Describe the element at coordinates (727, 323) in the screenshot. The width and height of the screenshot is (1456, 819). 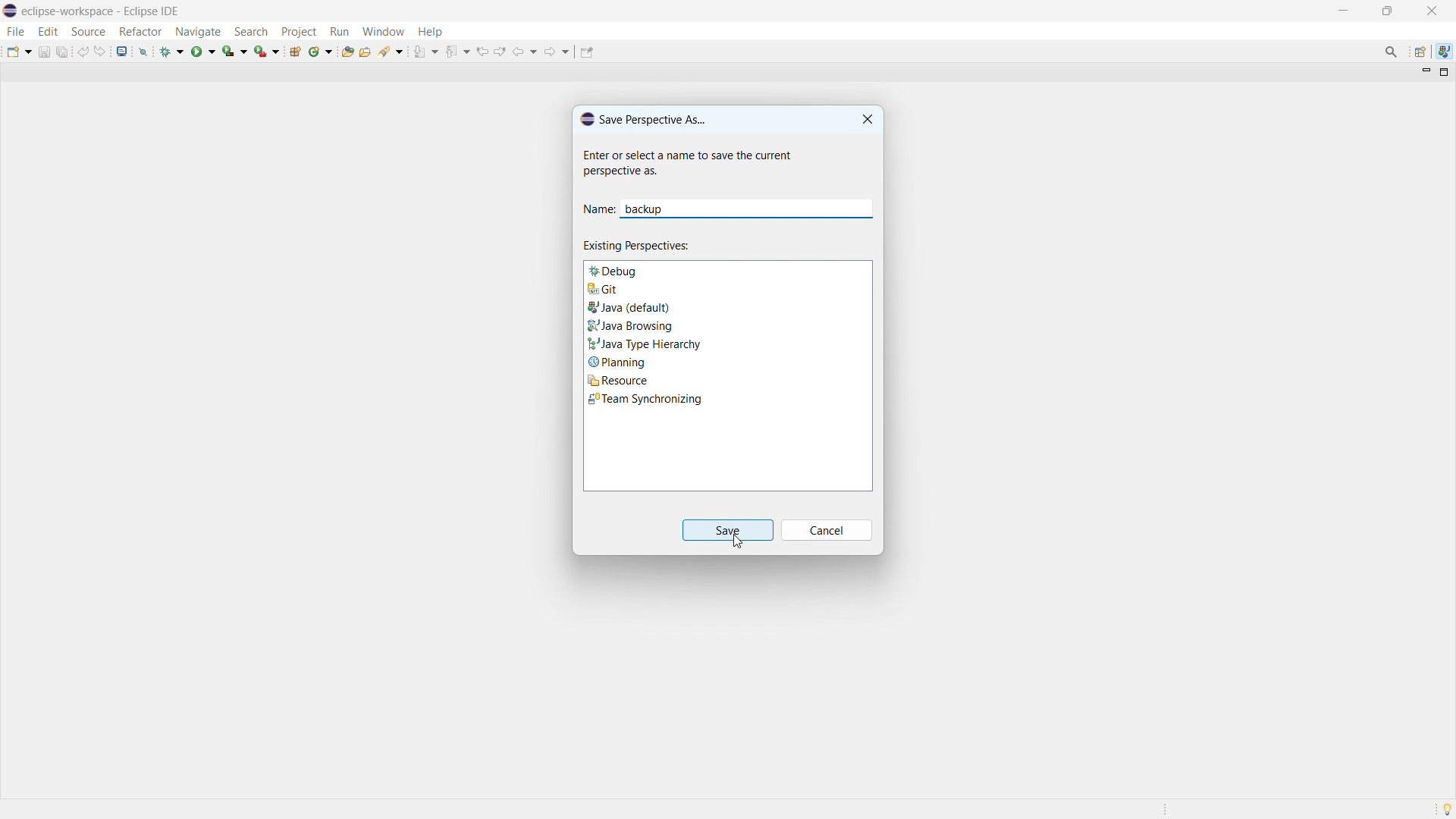
I see `Java browsing` at that location.